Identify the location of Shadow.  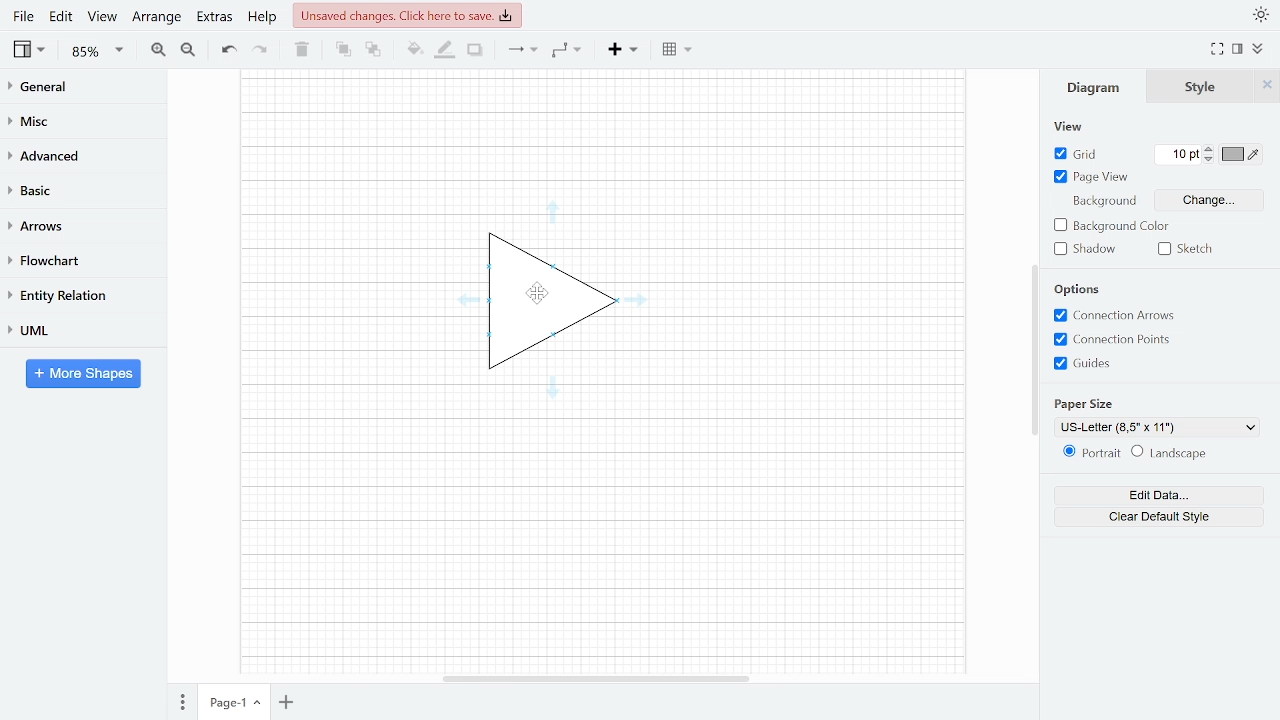
(475, 50).